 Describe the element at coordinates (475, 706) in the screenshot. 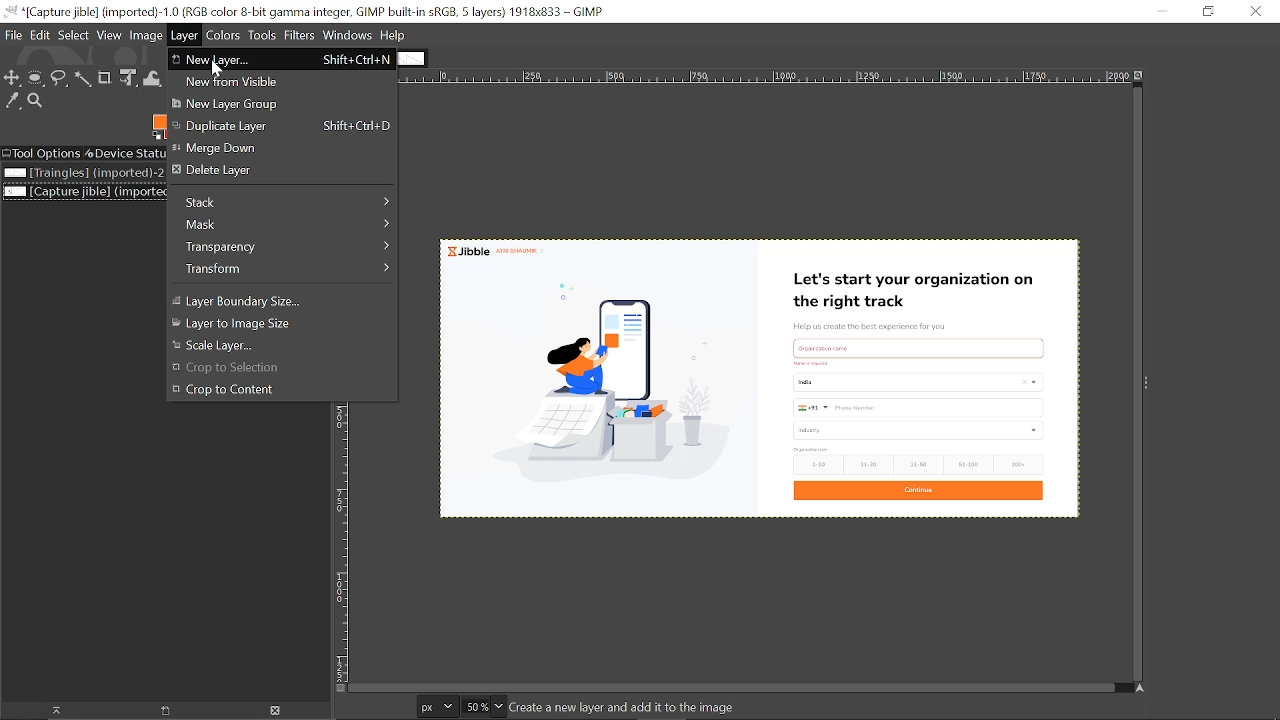

I see `Current zoom` at that location.